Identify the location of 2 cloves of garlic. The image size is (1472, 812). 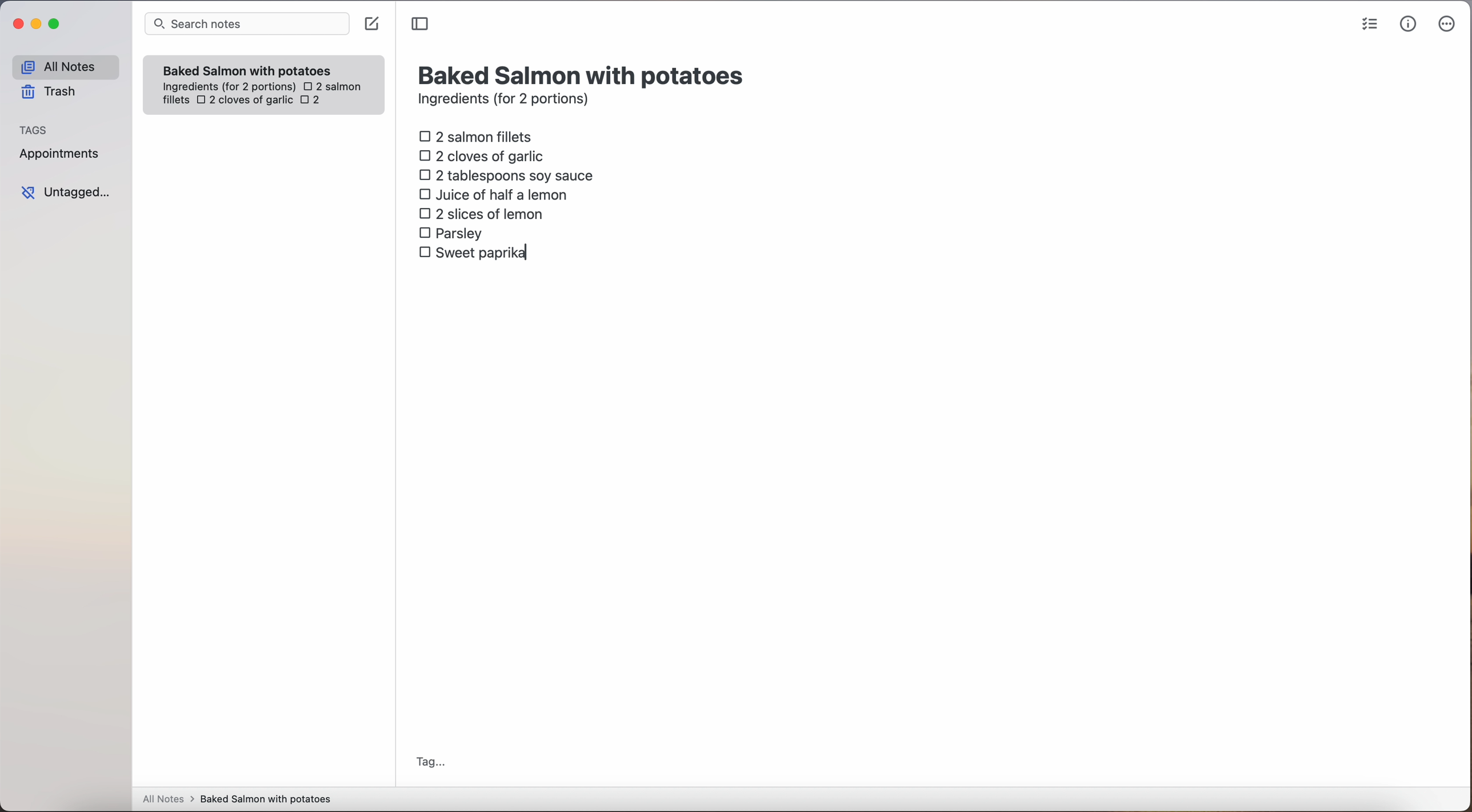
(485, 154).